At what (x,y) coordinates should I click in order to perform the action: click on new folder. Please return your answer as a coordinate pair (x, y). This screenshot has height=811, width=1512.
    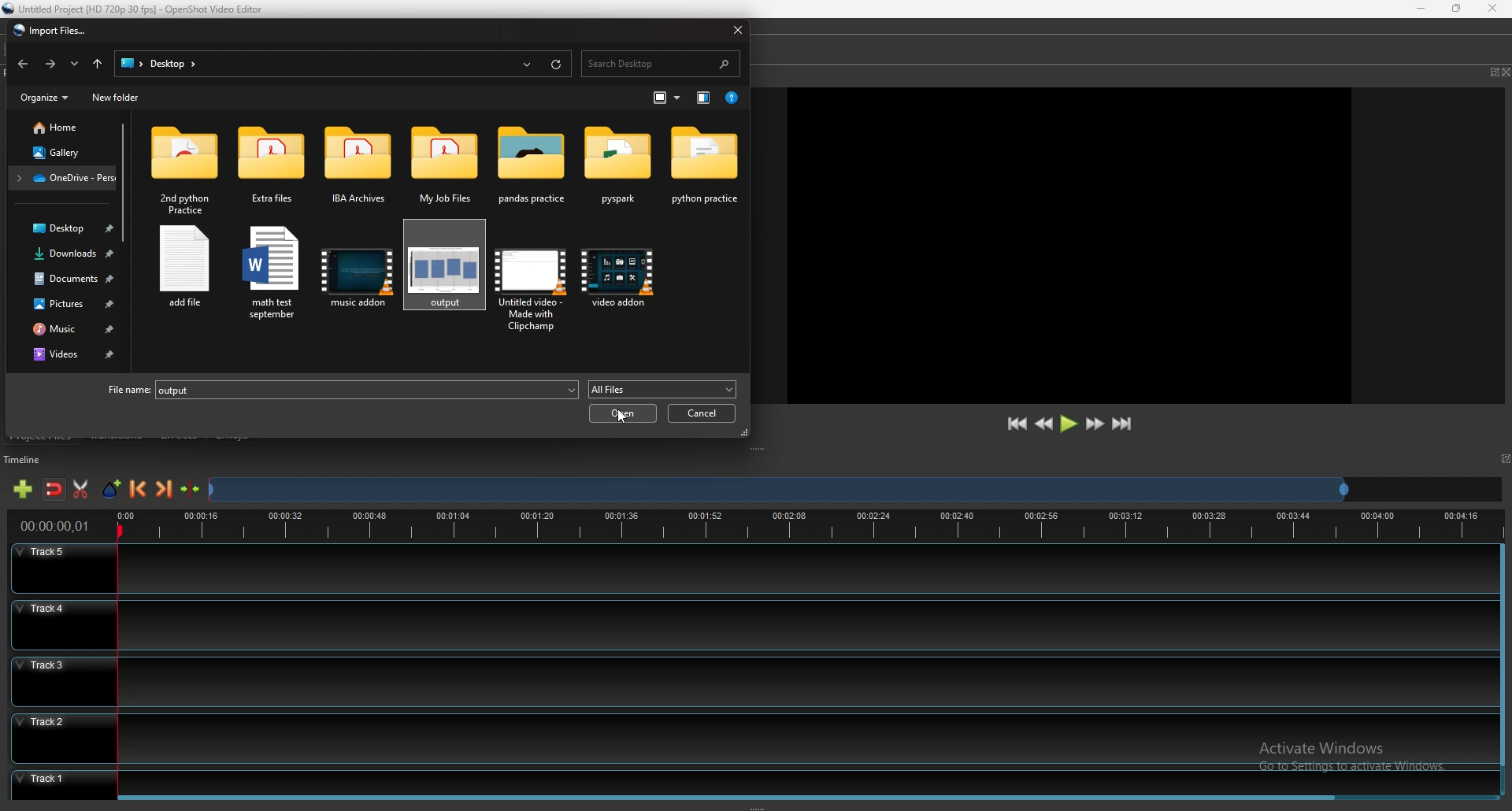
    Looking at the image, I should click on (117, 98).